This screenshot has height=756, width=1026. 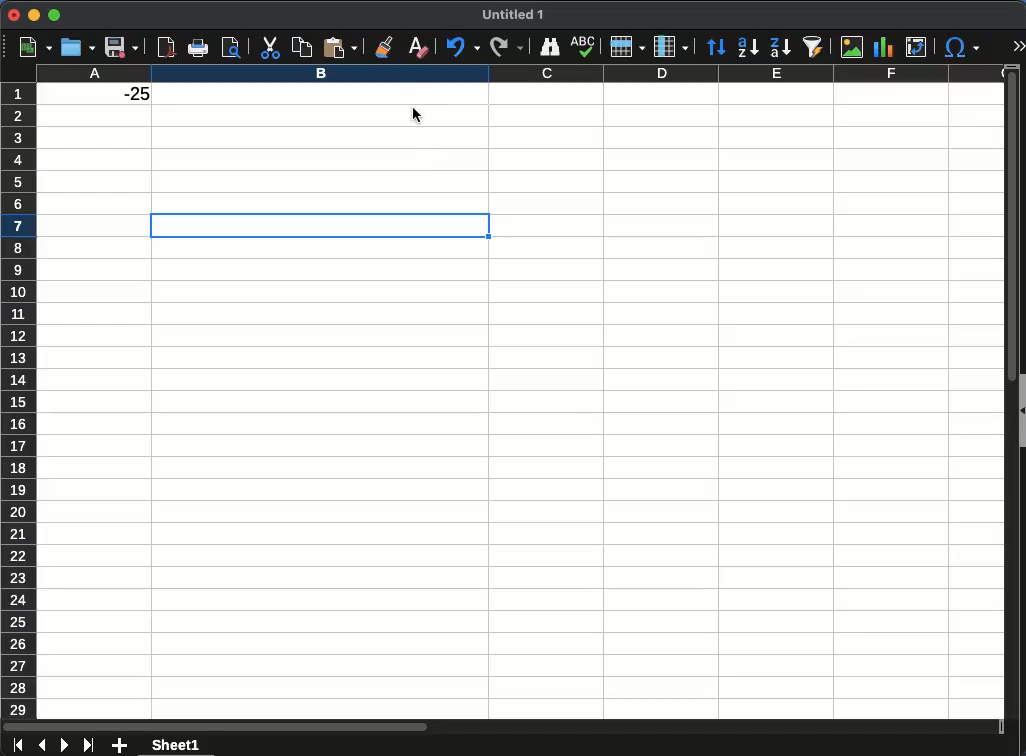 What do you see at coordinates (231, 48) in the screenshot?
I see `print preview` at bounding box center [231, 48].